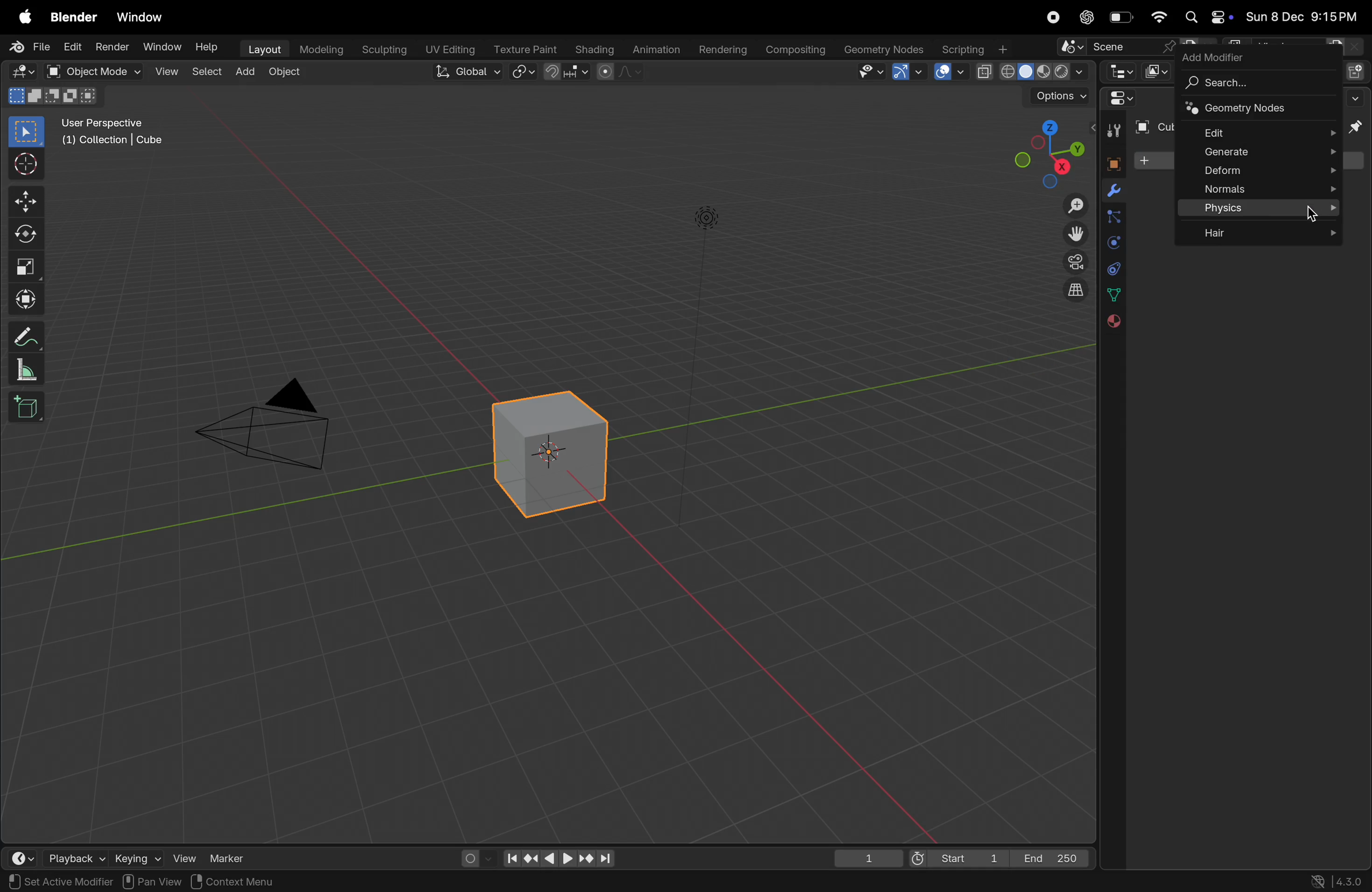 Image resolution: width=1372 pixels, height=892 pixels. Describe the element at coordinates (1258, 152) in the screenshot. I see `Genrate` at that location.